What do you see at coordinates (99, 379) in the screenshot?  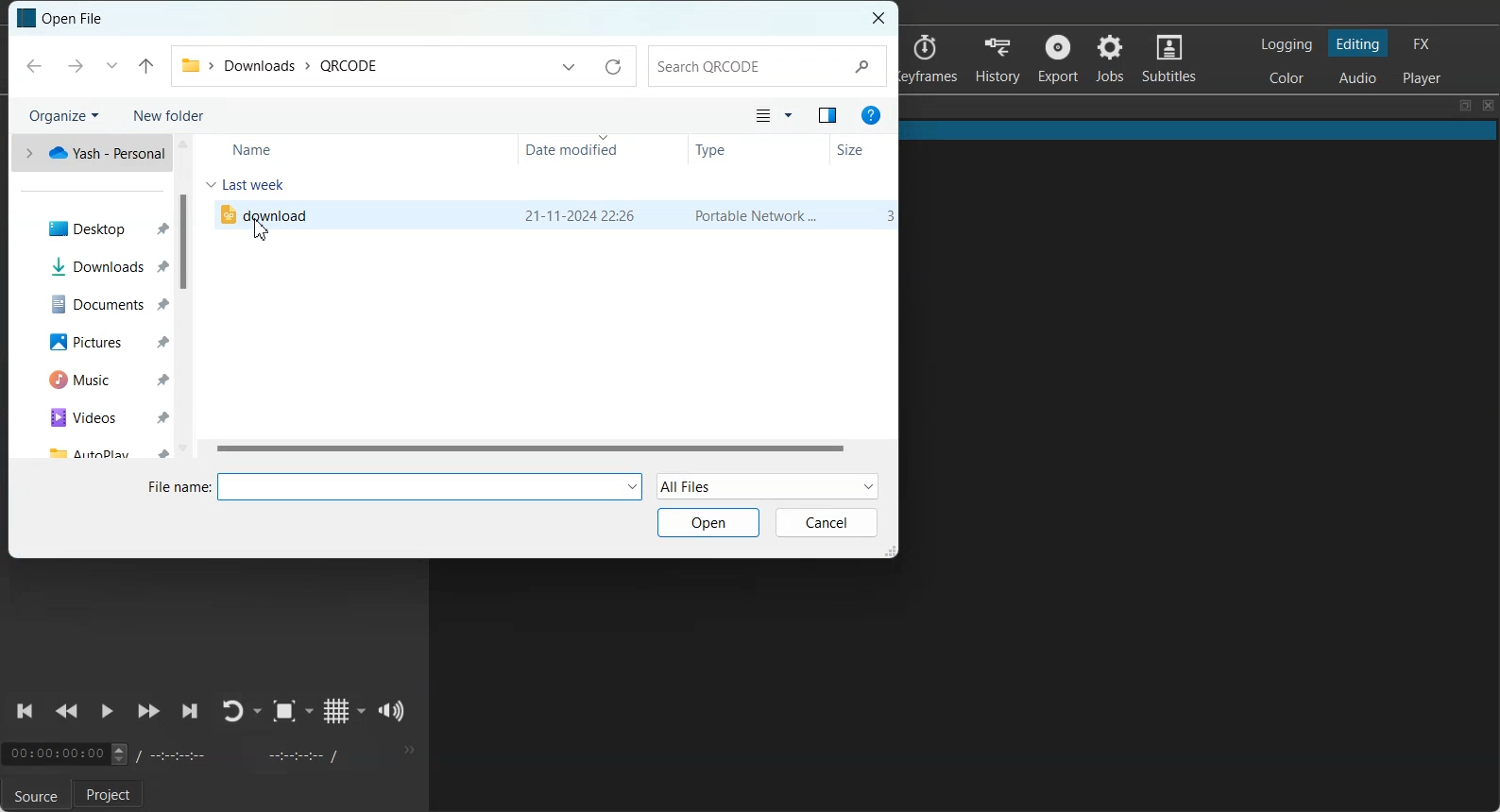 I see `Music` at bounding box center [99, 379].